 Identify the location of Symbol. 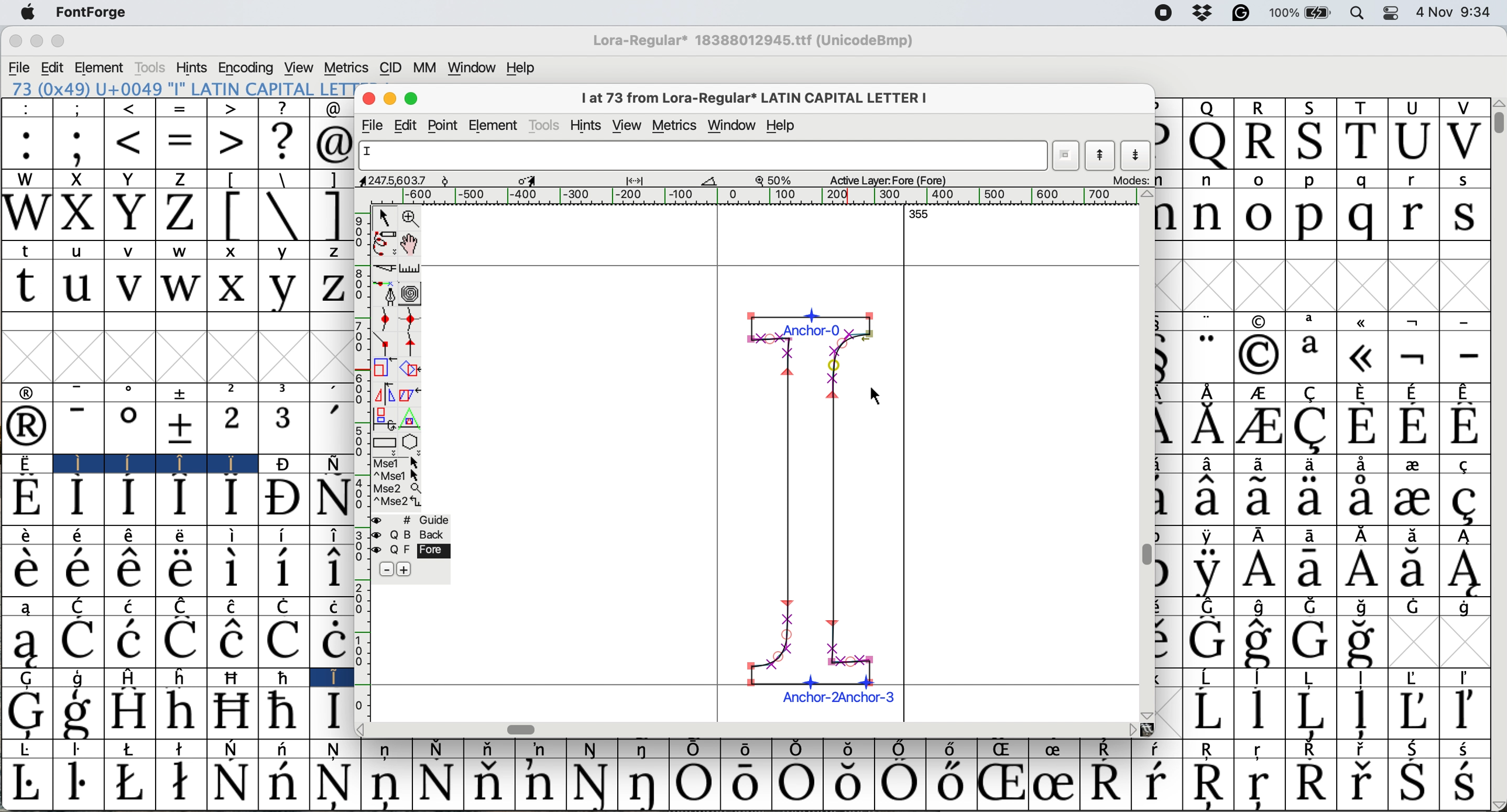
(1360, 499).